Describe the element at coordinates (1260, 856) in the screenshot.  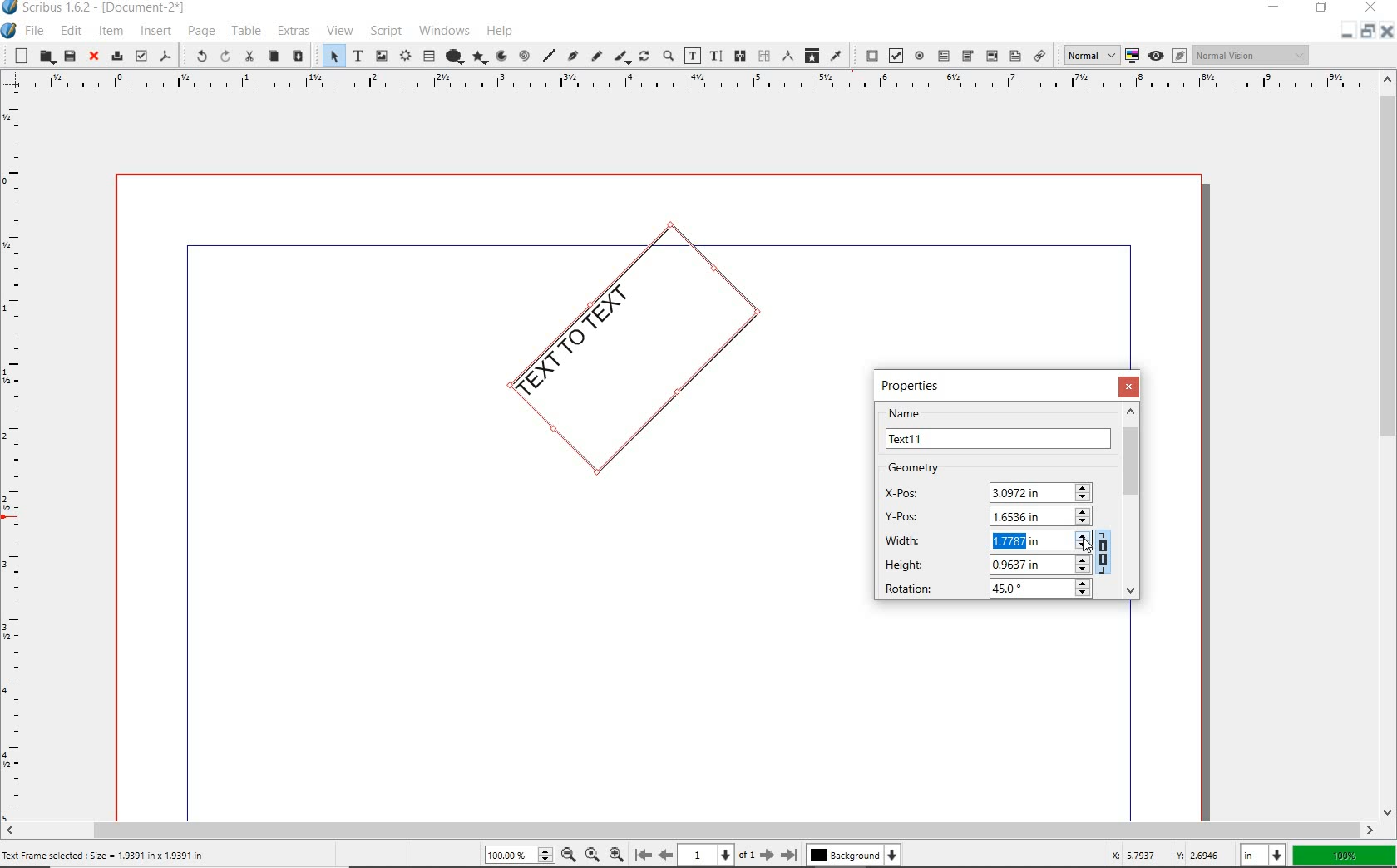
I see `select unit` at that location.